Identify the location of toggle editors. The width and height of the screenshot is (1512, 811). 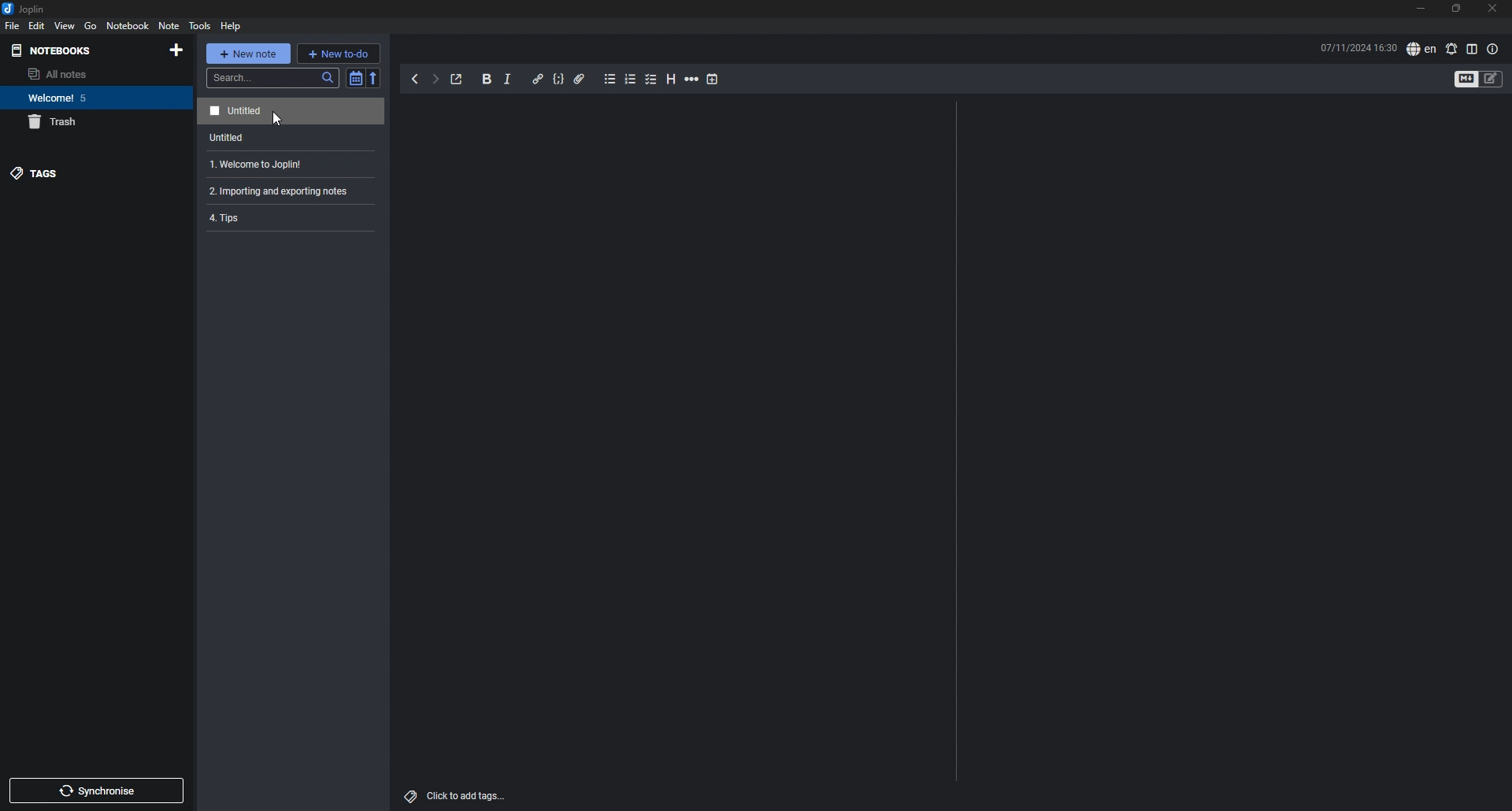
(1466, 80).